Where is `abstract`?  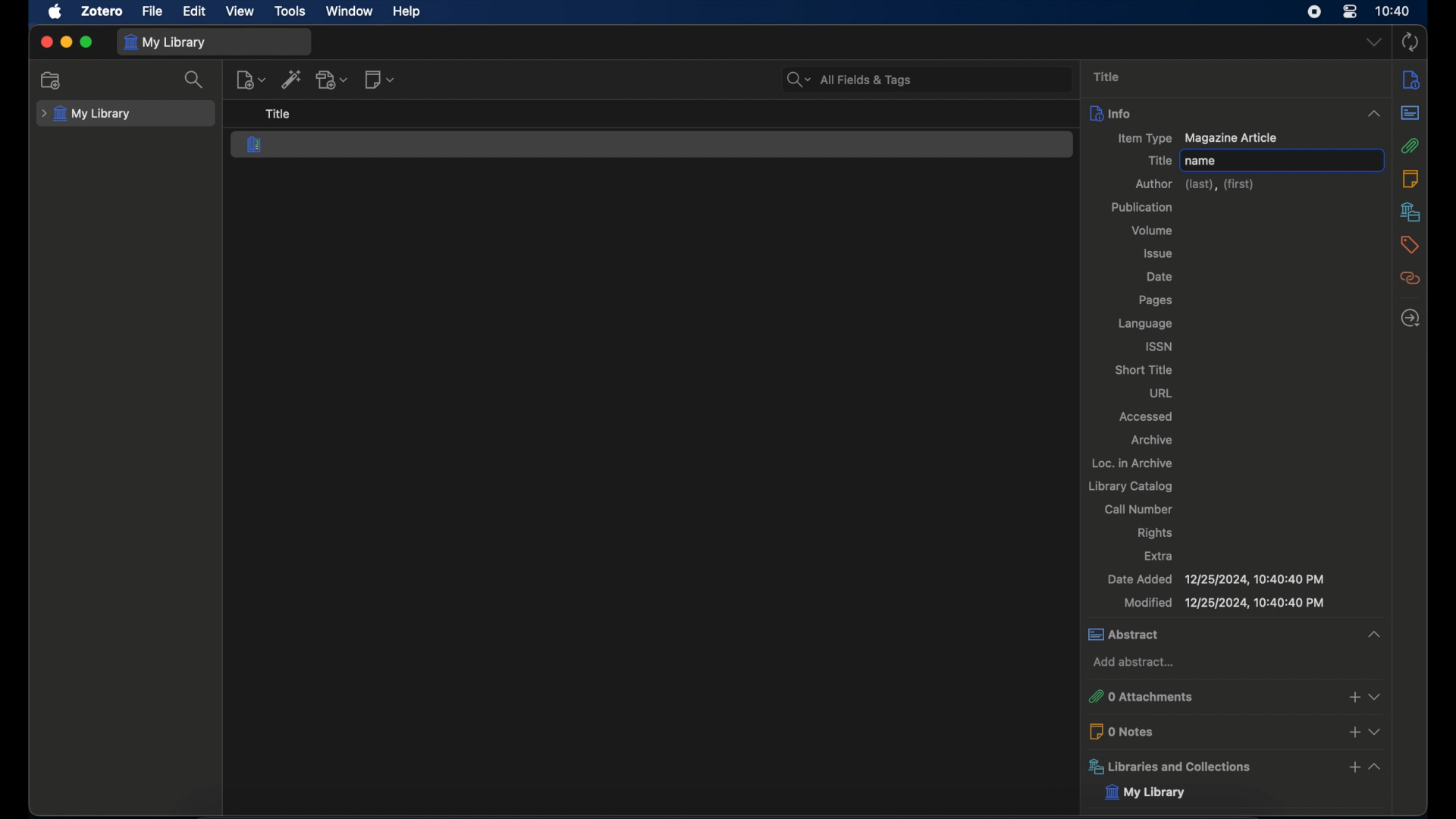
abstract is located at coordinates (1235, 634).